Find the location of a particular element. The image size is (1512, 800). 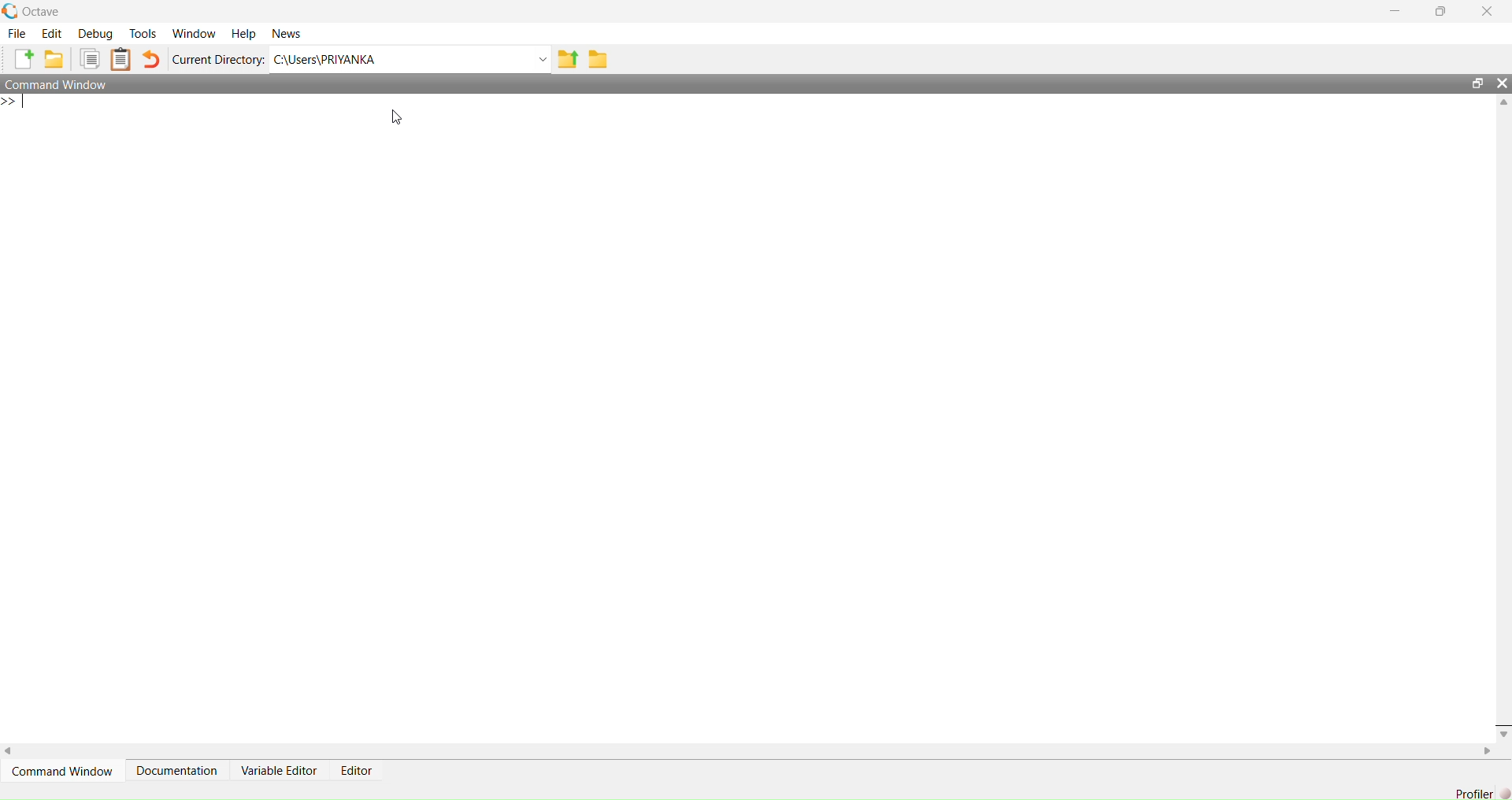

Maximize/Restore is located at coordinates (1443, 13).